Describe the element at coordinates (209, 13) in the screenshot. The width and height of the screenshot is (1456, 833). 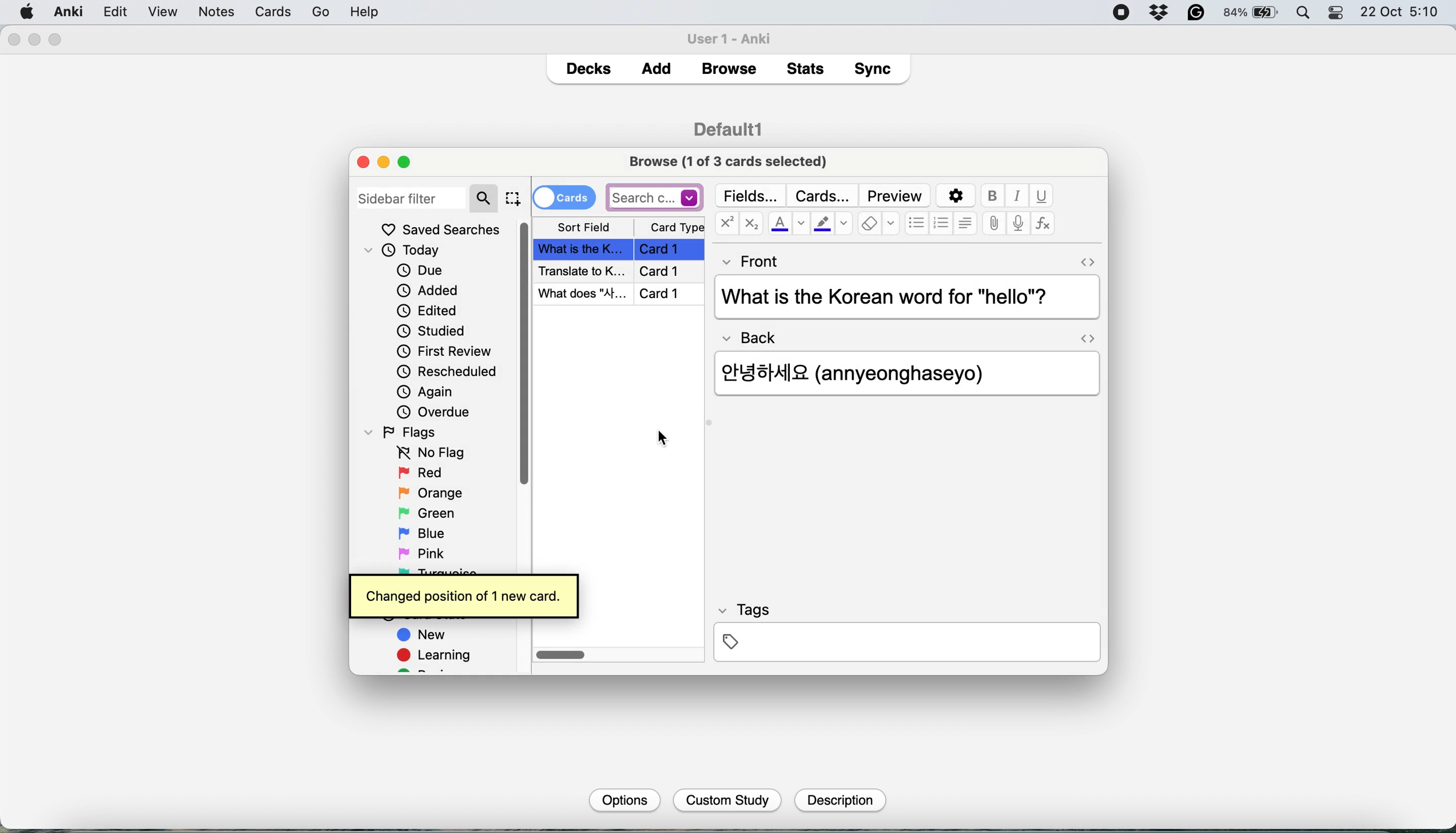
I see `view` at that location.